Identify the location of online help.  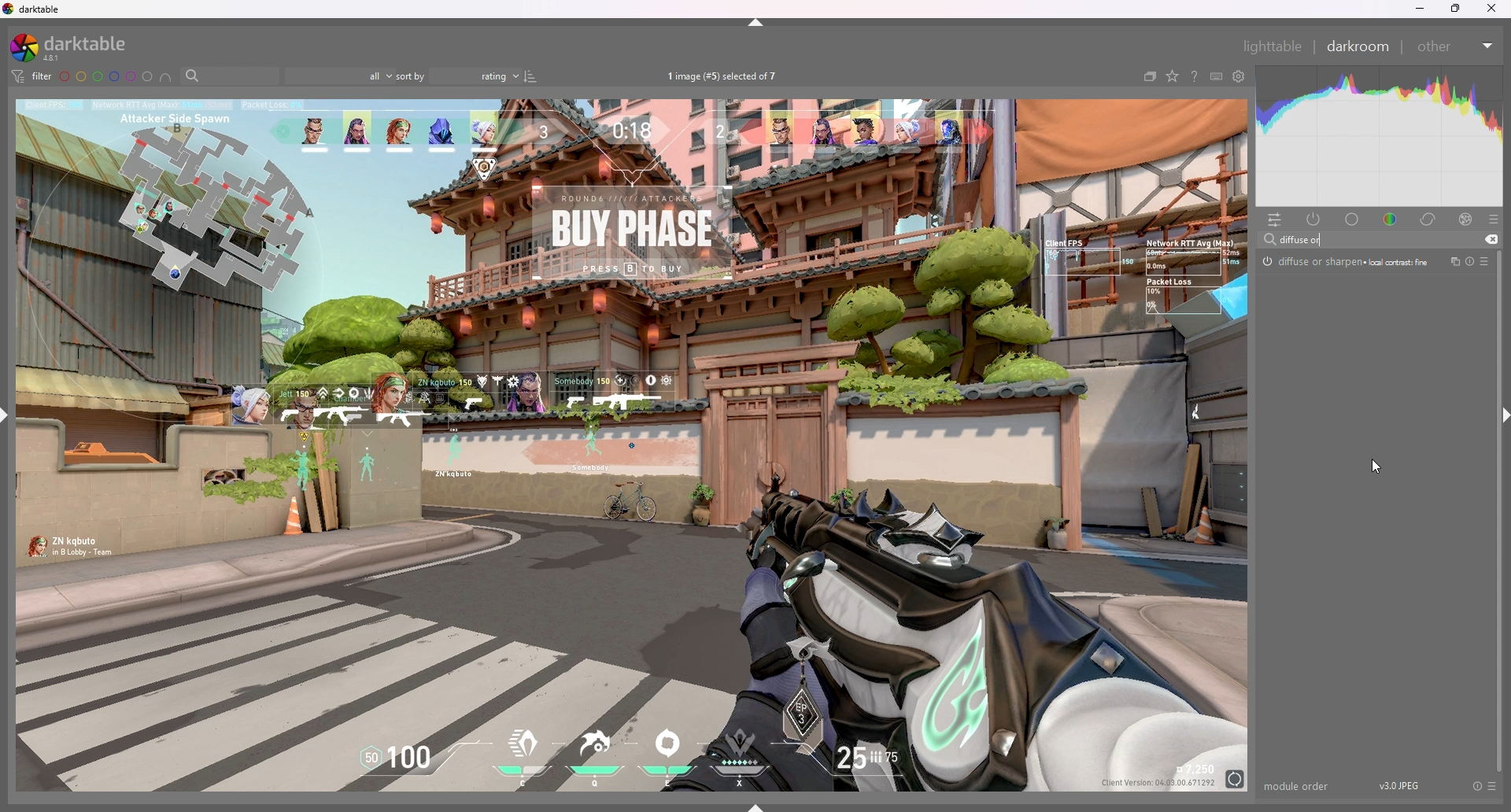
(1195, 76).